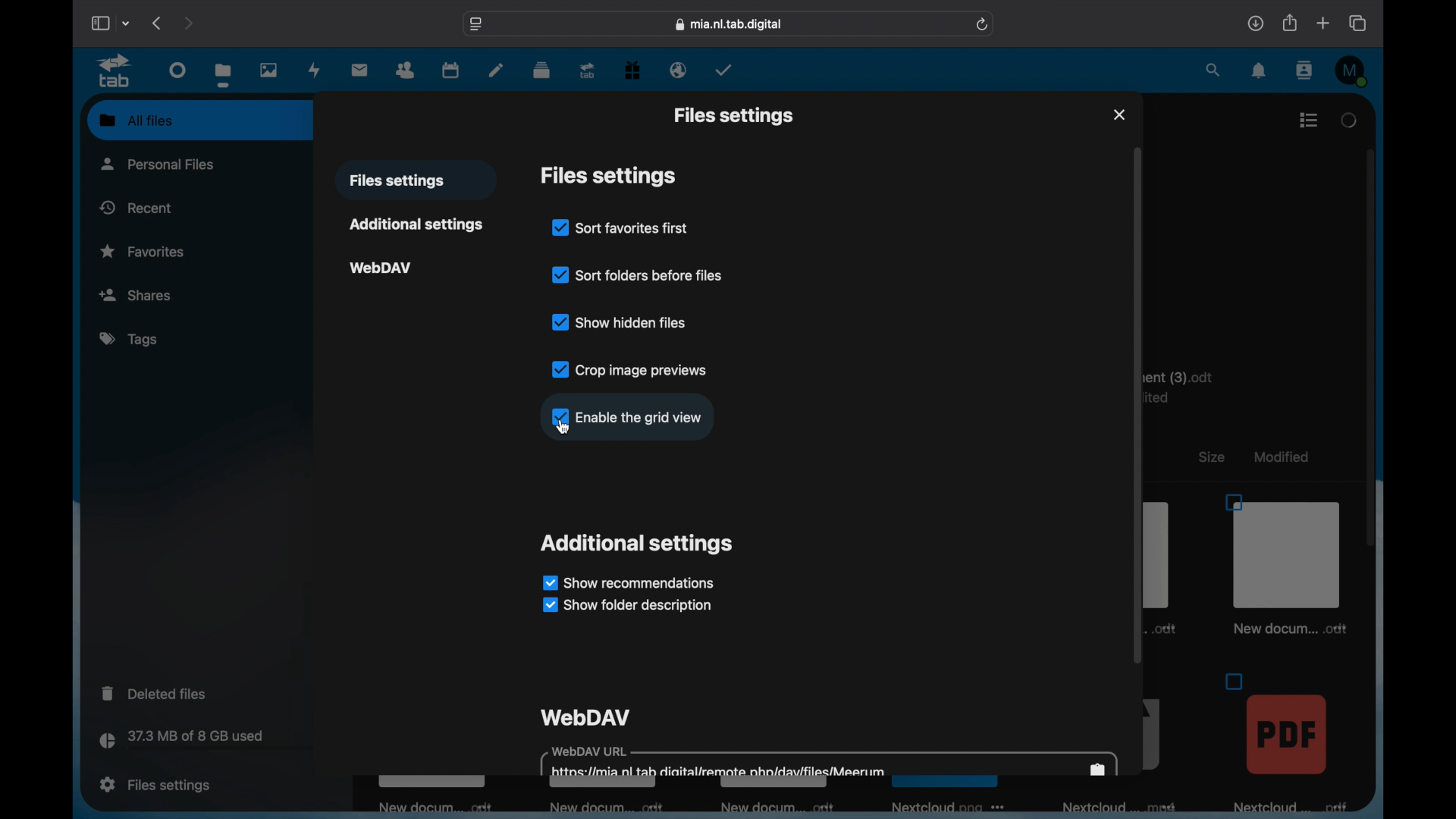 This screenshot has width=1456, height=819. I want to click on show tab overview, so click(1359, 24).